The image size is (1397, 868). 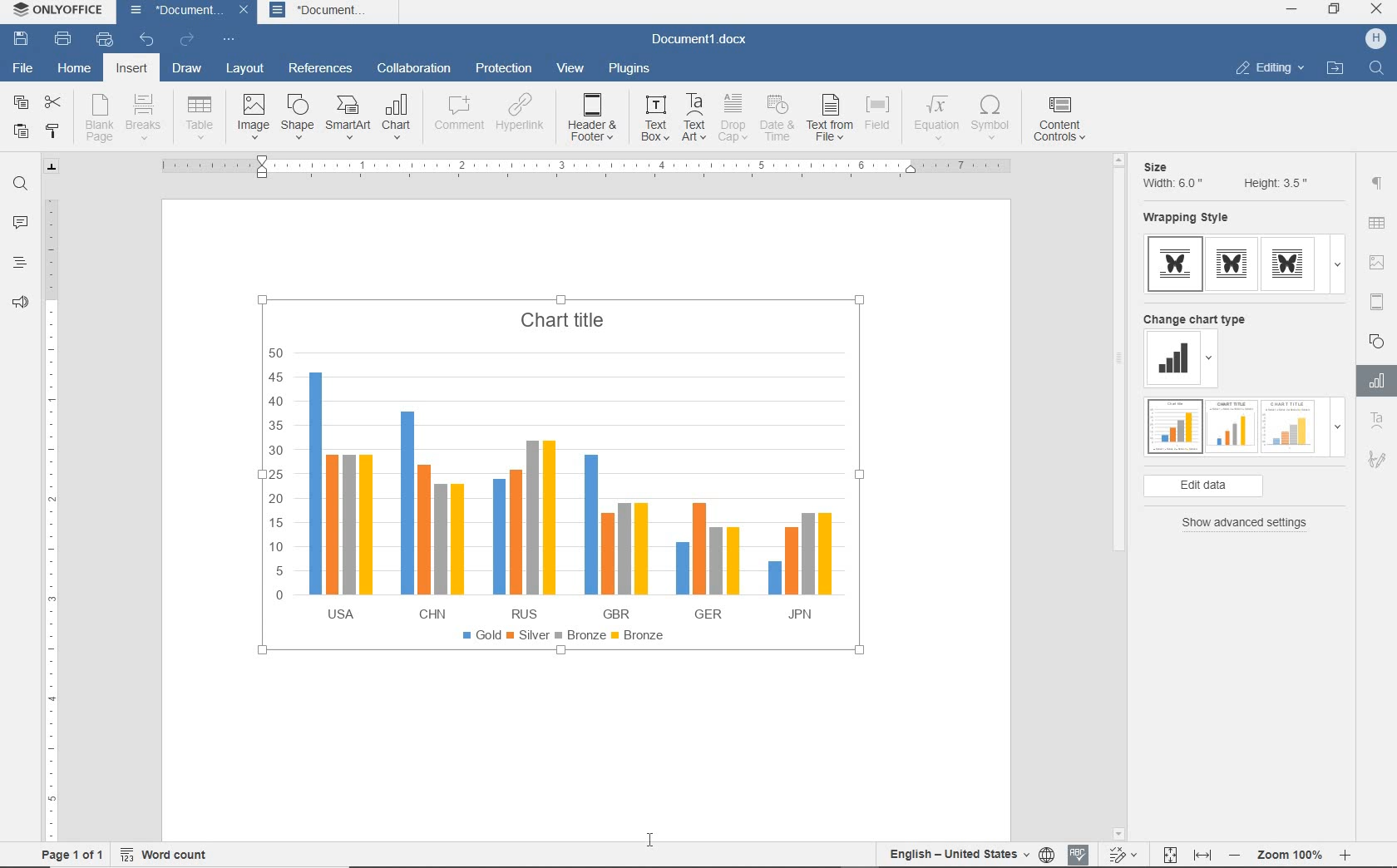 I want to click on layout, so click(x=242, y=69).